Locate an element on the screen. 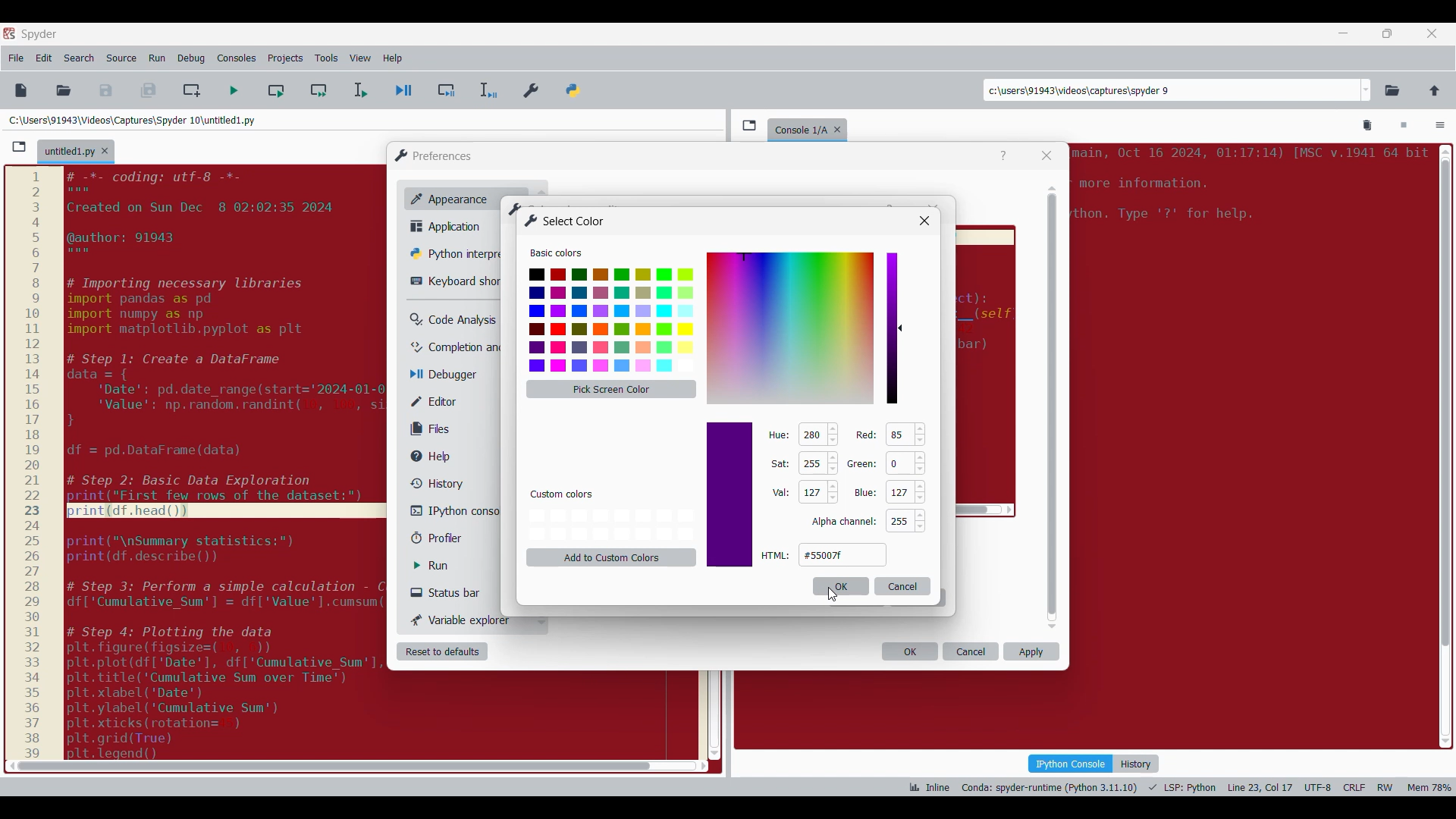 Image resolution: width=1456 pixels, height=819 pixels. Current tab is located at coordinates (69, 152).